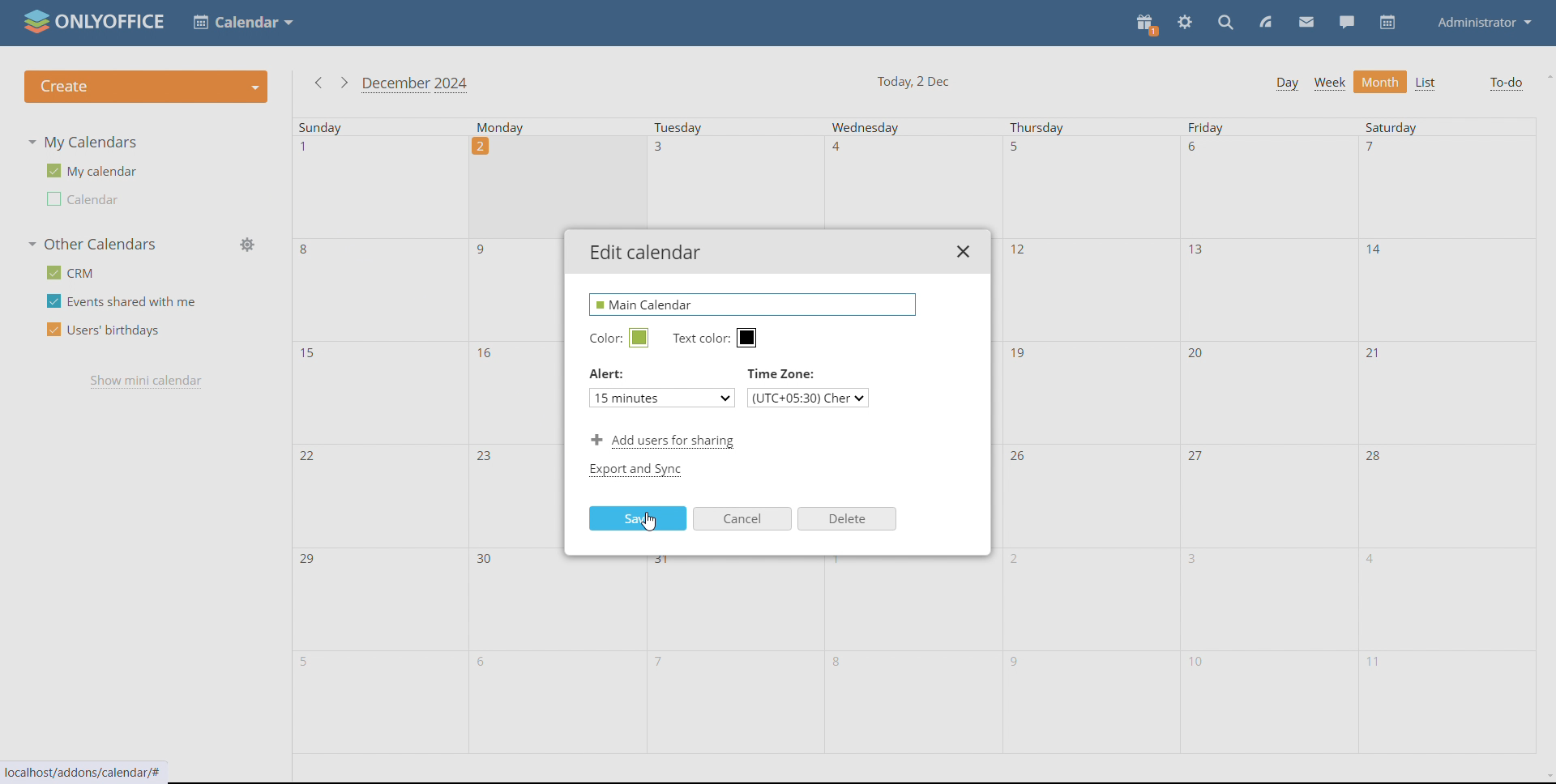  Describe the element at coordinates (1306, 24) in the screenshot. I see `mail` at that location.